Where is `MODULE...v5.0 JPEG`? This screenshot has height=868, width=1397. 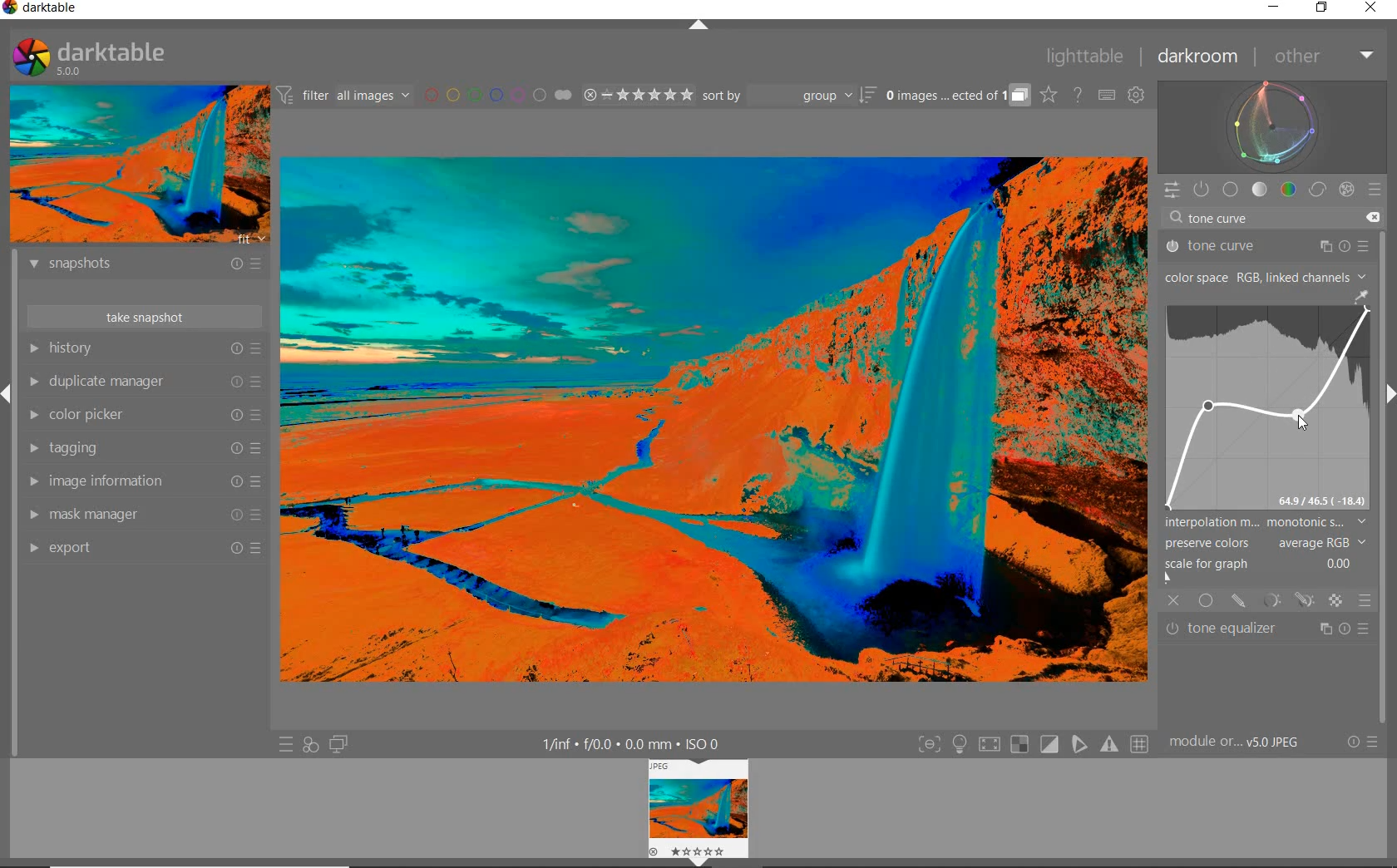 MODULE...v5.0 JPEG is located at coordinates (1239, 743).